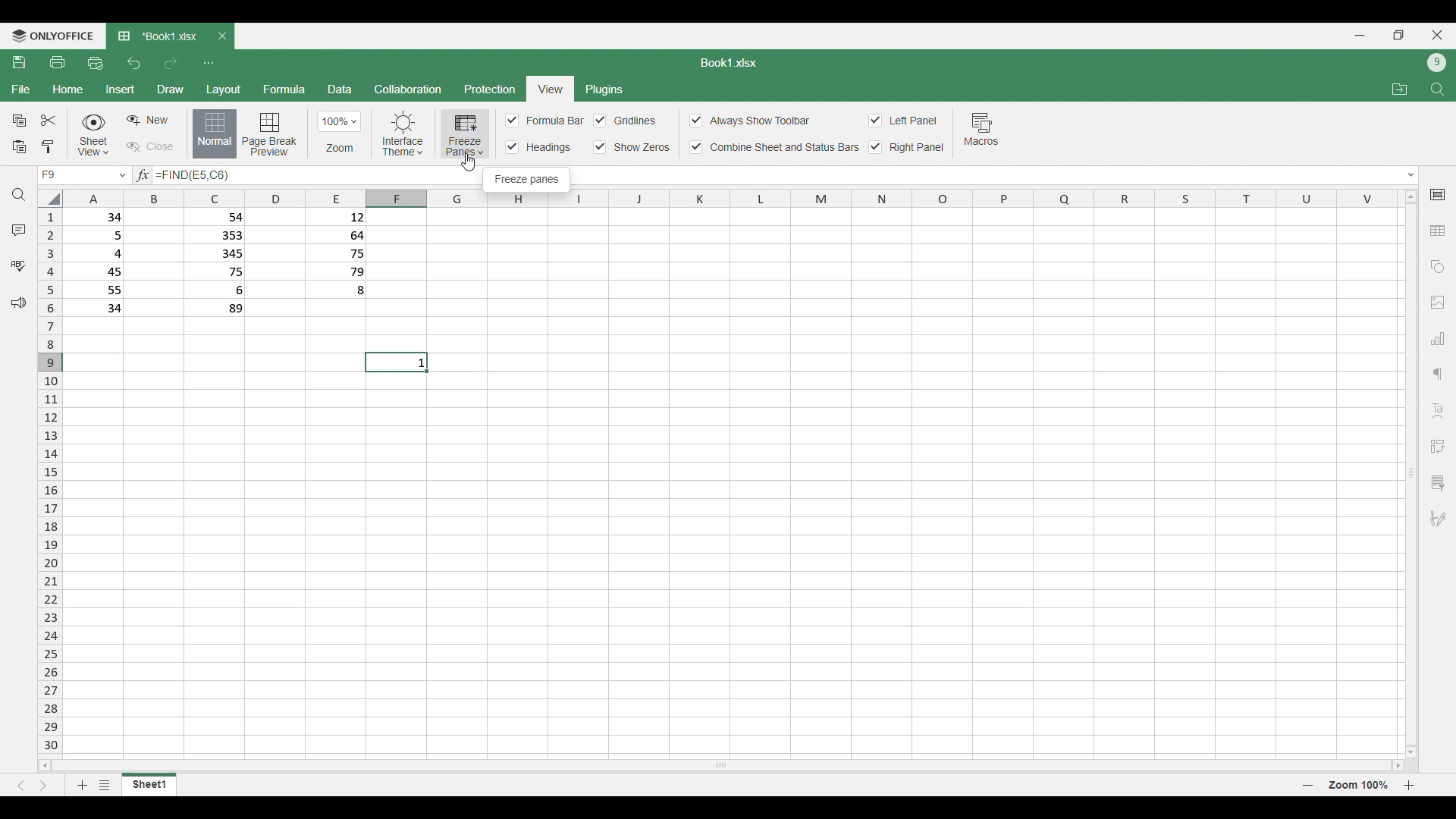  What do you see at coordinates (407, 89) in the screenshot?
I see `Collaboration menu` at bounding box center [407, 89].